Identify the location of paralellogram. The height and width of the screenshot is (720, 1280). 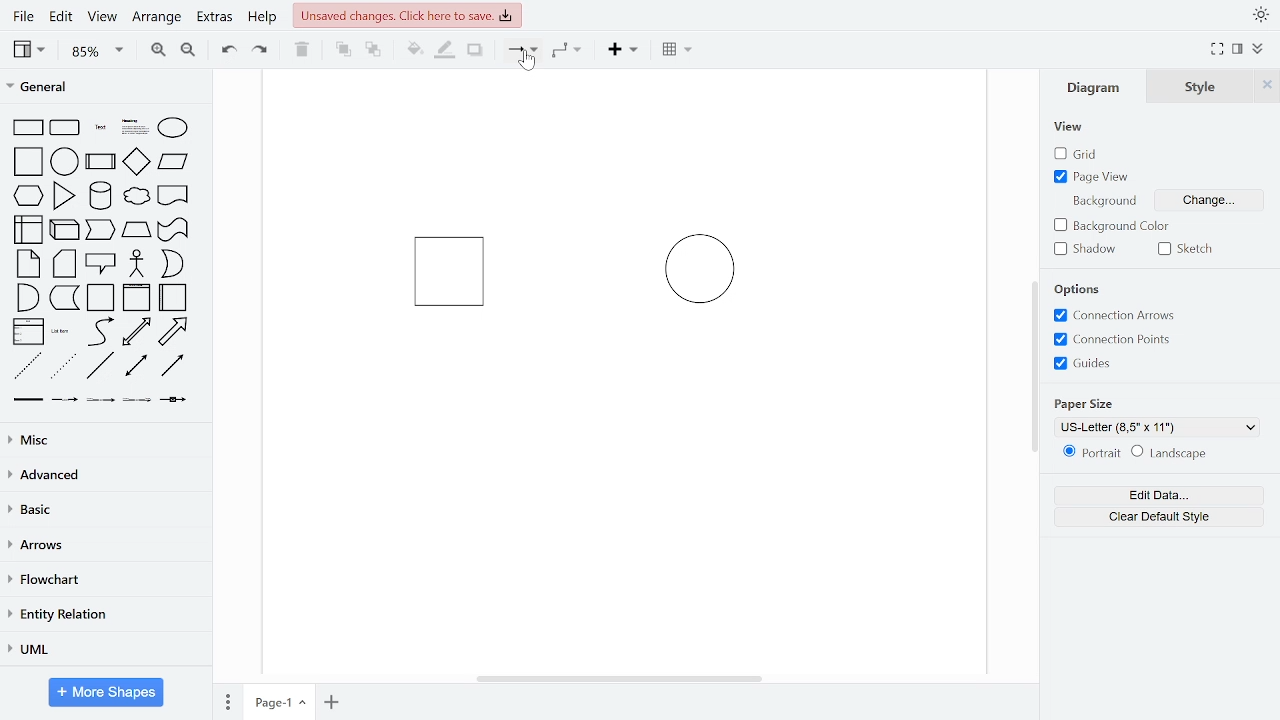
(173, 161).